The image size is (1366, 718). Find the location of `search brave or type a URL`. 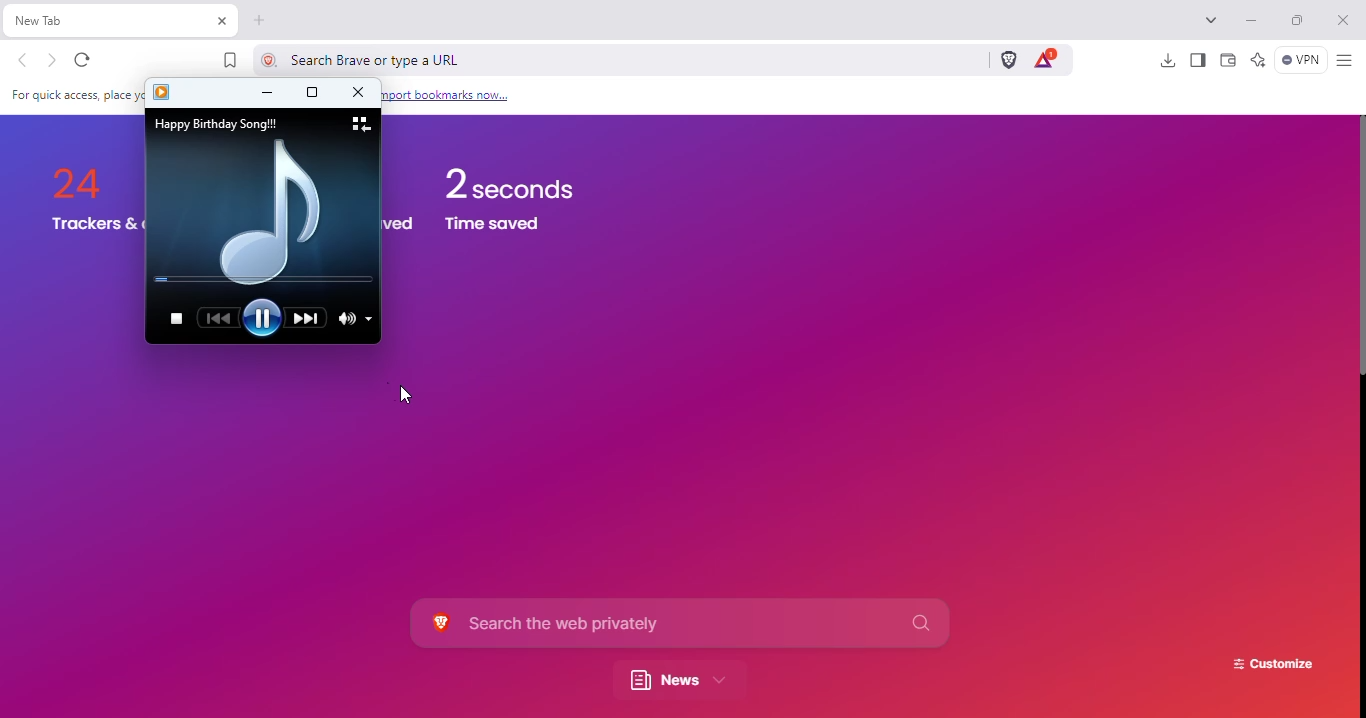

search brave or type a URL is located at coordinates (612, 59).